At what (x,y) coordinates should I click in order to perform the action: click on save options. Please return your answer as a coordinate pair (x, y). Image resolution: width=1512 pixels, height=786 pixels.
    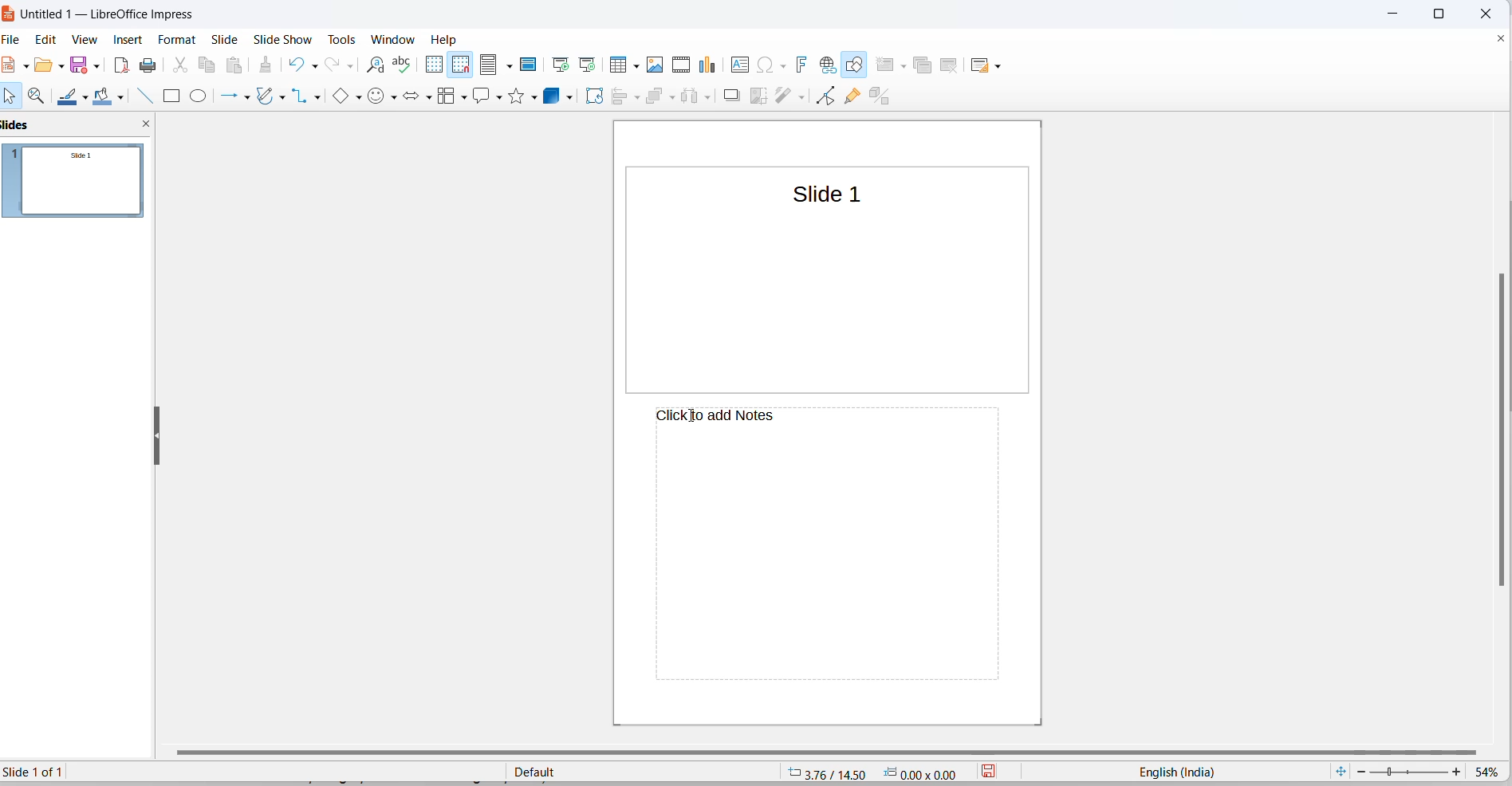
    Looking at the image, I should click on (96, 65).